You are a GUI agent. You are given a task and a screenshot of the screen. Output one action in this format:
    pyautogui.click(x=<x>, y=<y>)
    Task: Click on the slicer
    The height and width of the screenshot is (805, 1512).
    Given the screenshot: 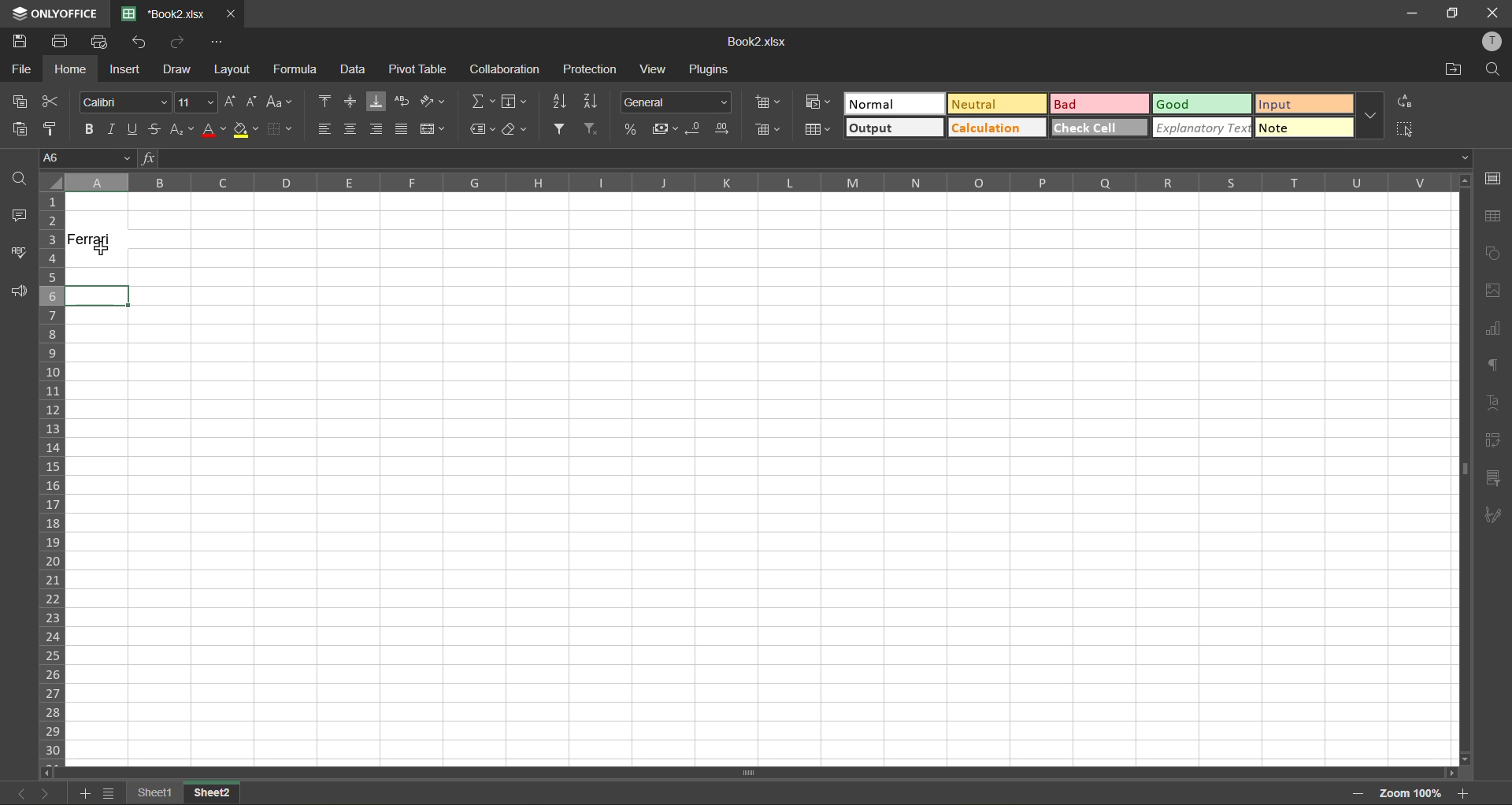 What is the action you would take?
    pyautogui.click(x=1492, y=476)
    